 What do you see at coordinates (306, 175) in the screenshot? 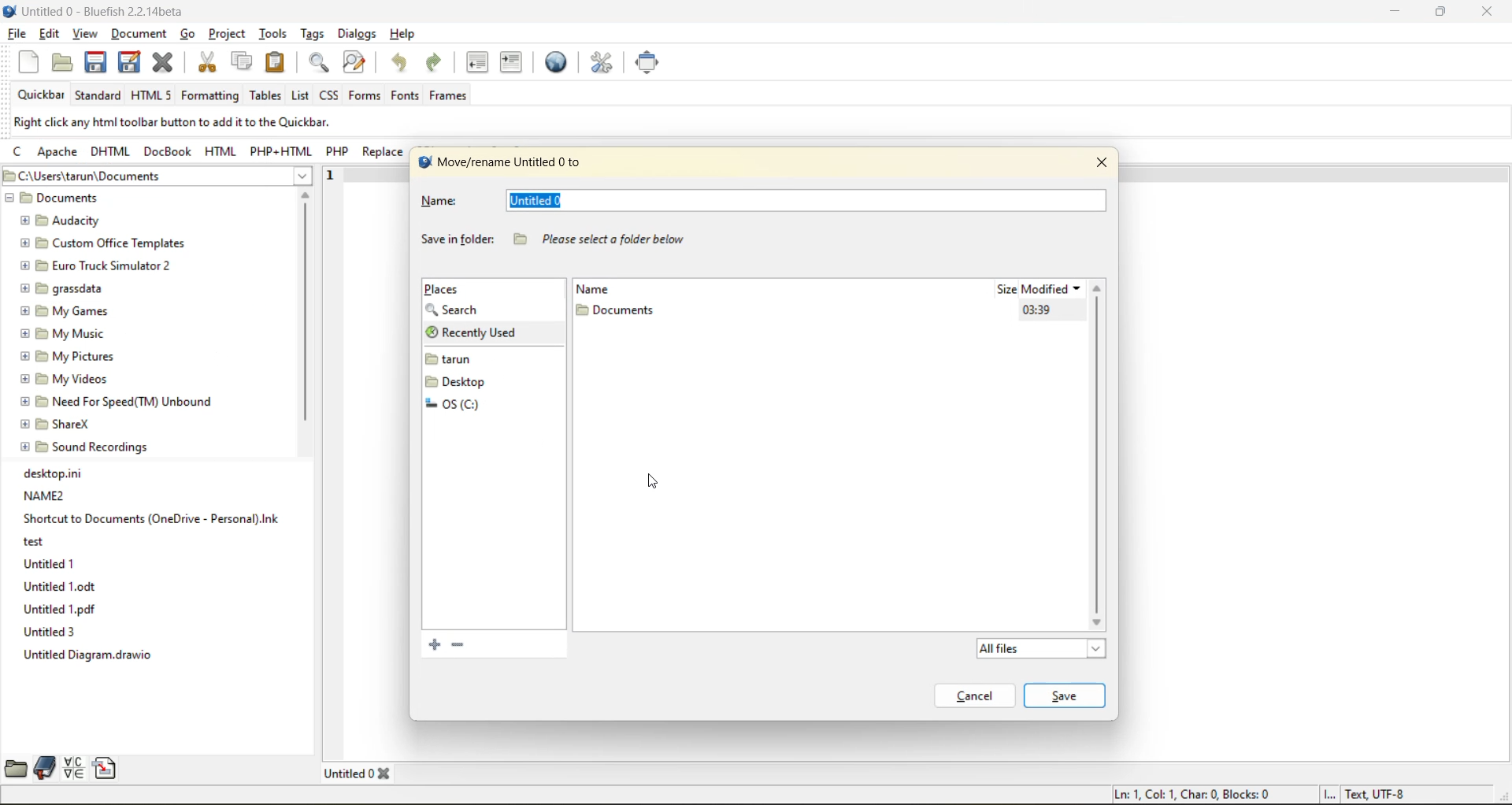
I see `show more` at bounding box center [306, 175].